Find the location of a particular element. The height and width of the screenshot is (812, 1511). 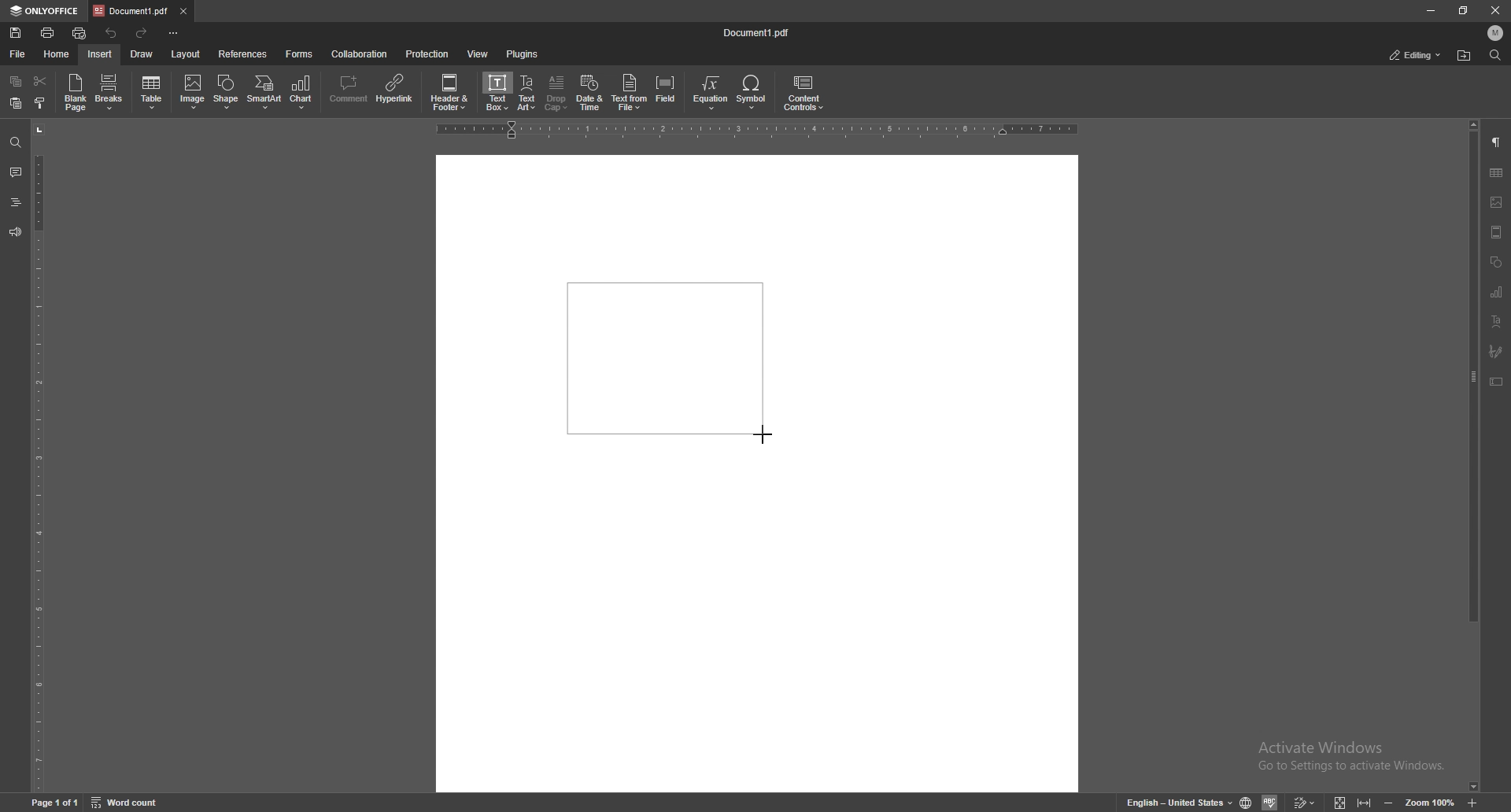

smart art is located at coordinates (264, 92).